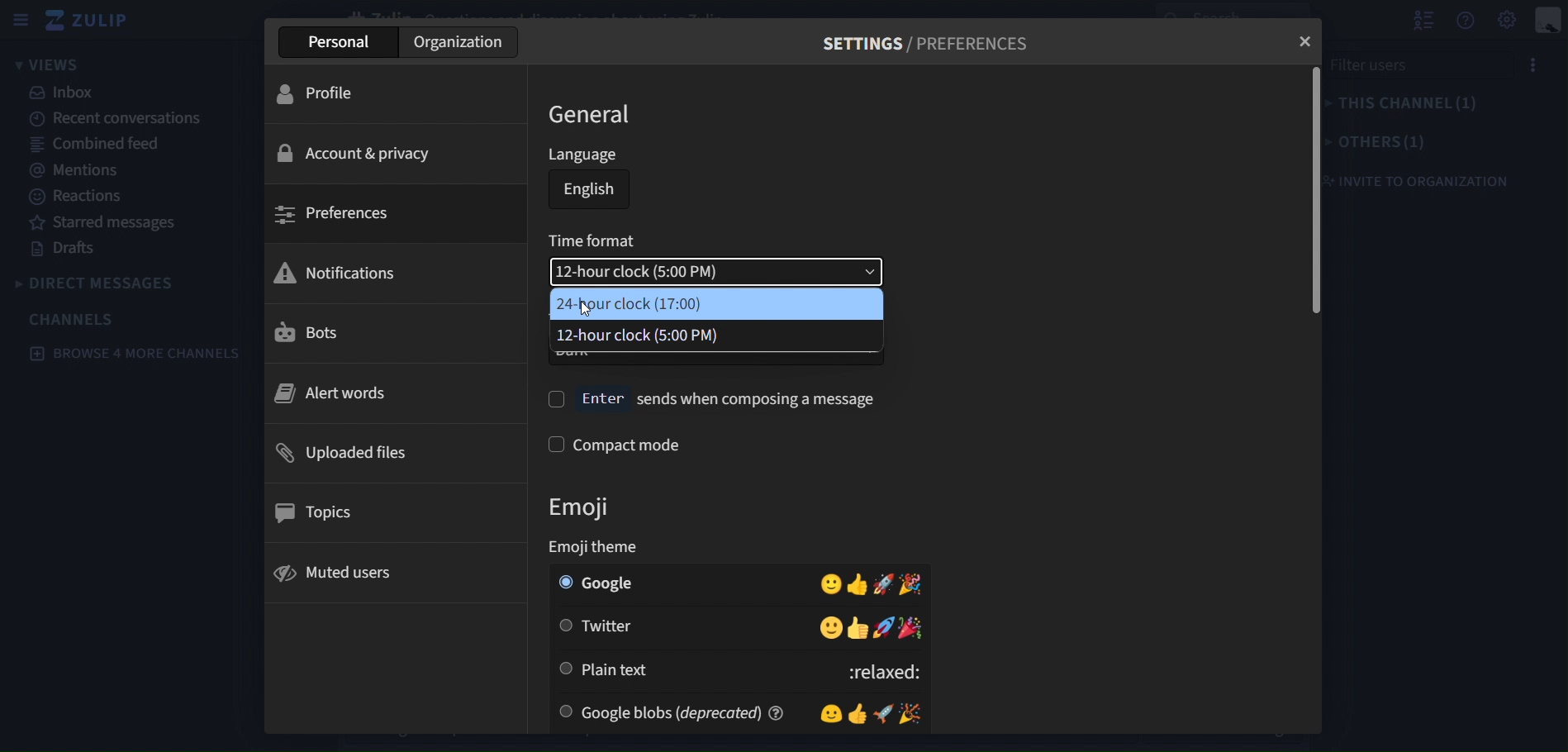  Describe the element at coordinates (131, 354) in the screenshot. I see `browse 4 more channels` at that location.